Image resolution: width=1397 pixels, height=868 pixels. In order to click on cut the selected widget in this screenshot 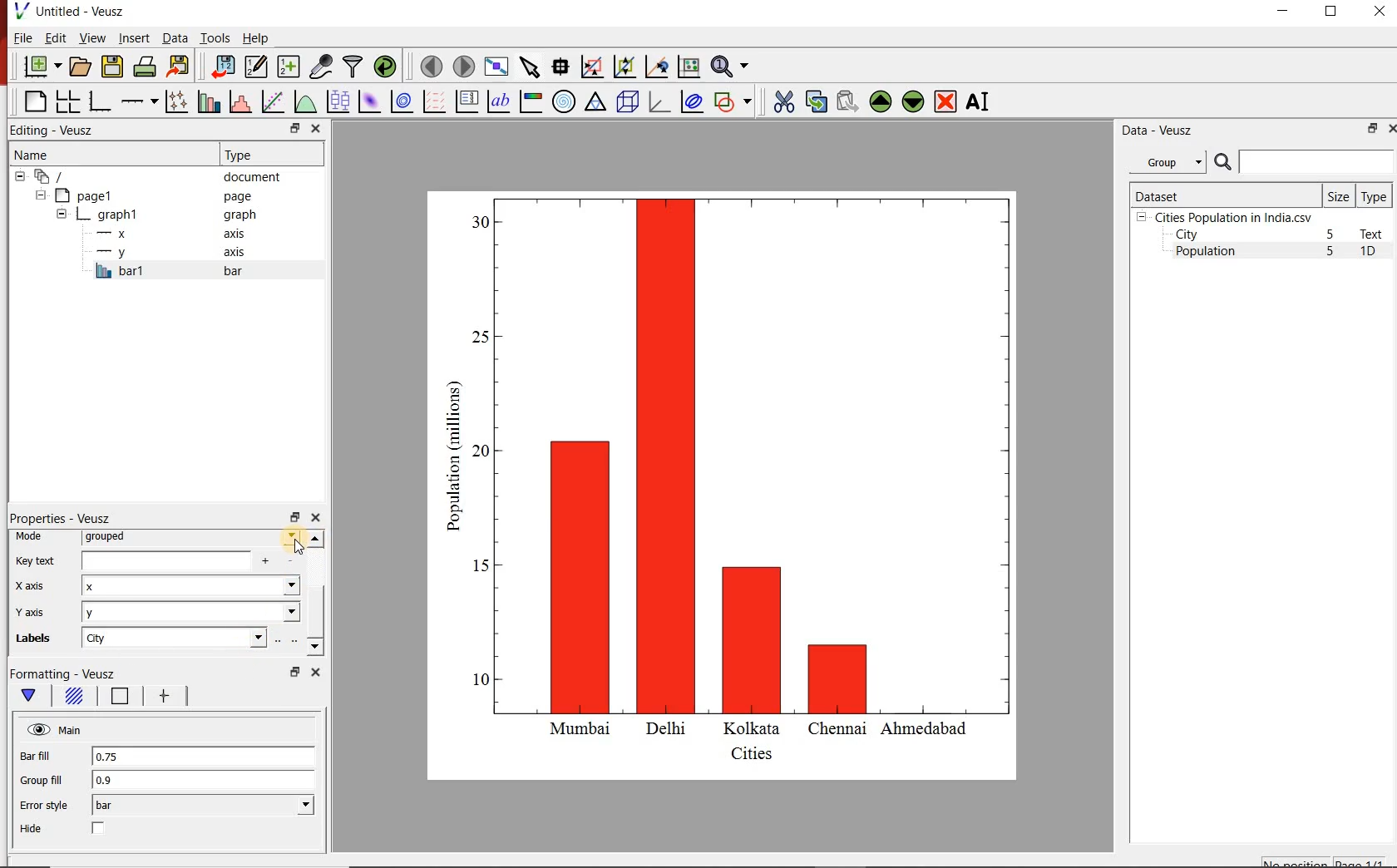, I will do `click(781, 101)`.